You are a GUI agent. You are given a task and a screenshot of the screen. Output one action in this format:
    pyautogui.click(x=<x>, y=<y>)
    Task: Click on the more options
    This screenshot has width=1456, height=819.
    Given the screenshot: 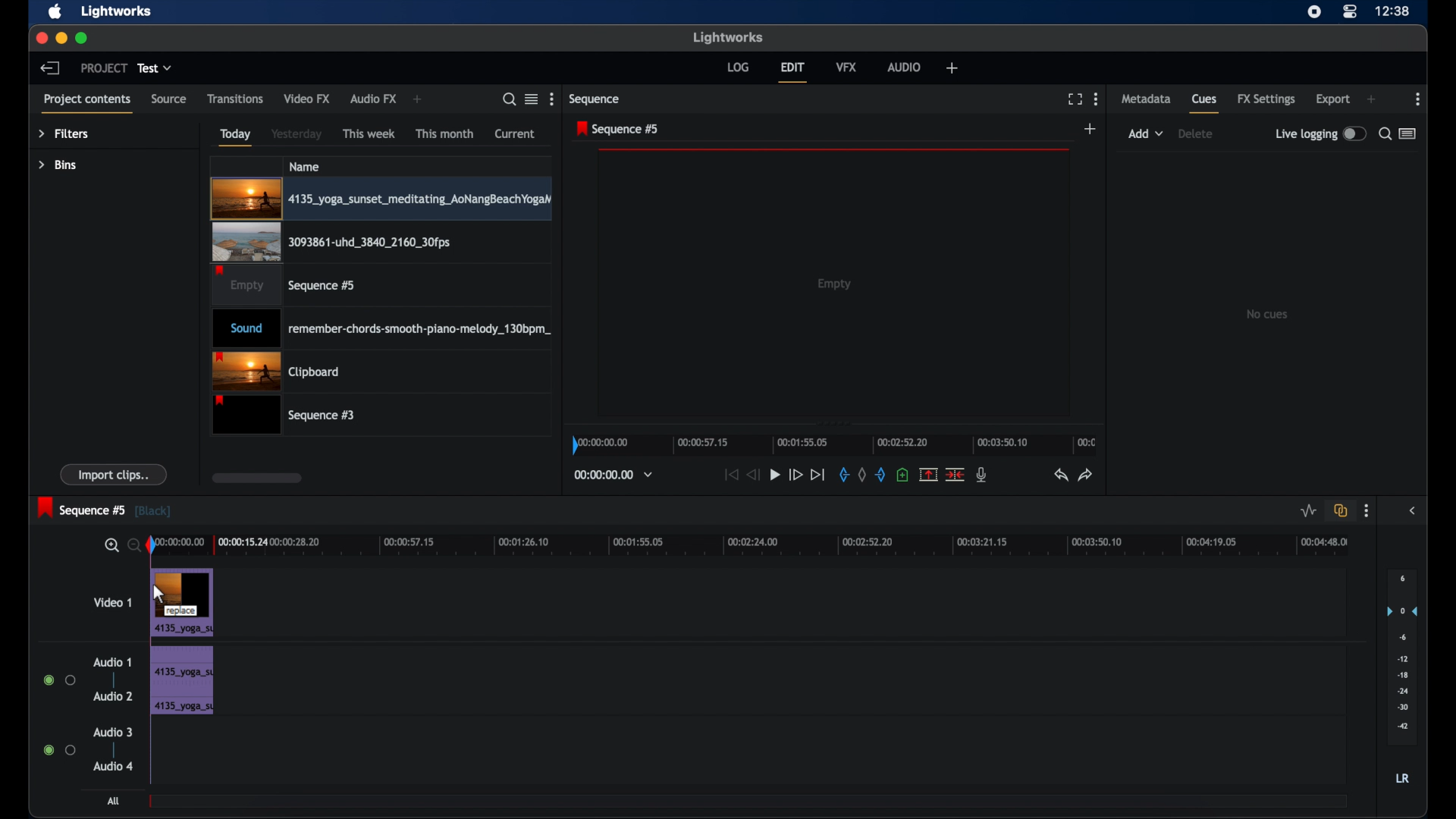 What is the action you would take?
    pyautogui.click(x=552, y=99)
    